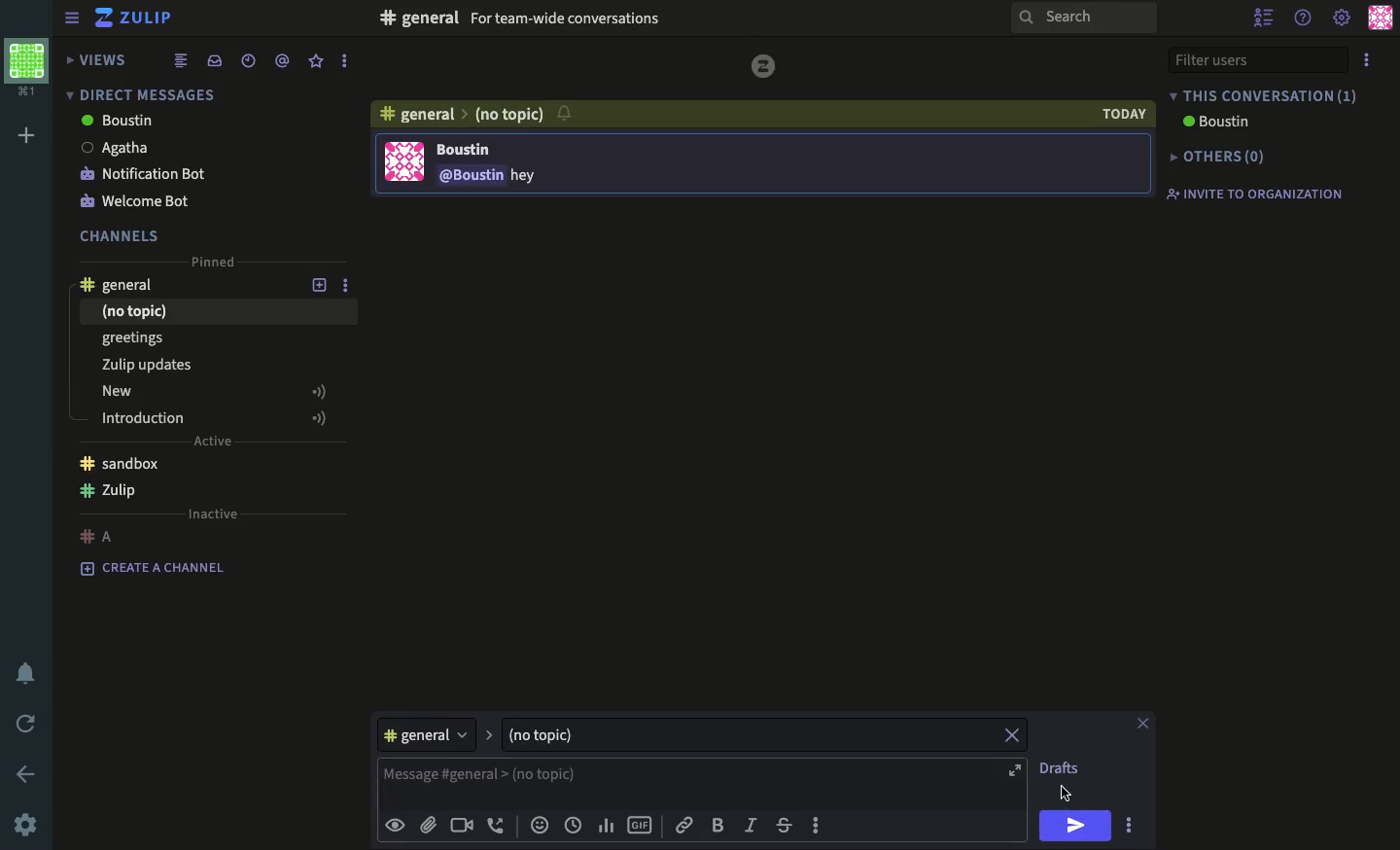 Image resolution: width=1400 pixels, height=850 pixels. What do you see at coordinates (435, 733) in the screenshot?
I see `general` at bounding box center [435, 733].